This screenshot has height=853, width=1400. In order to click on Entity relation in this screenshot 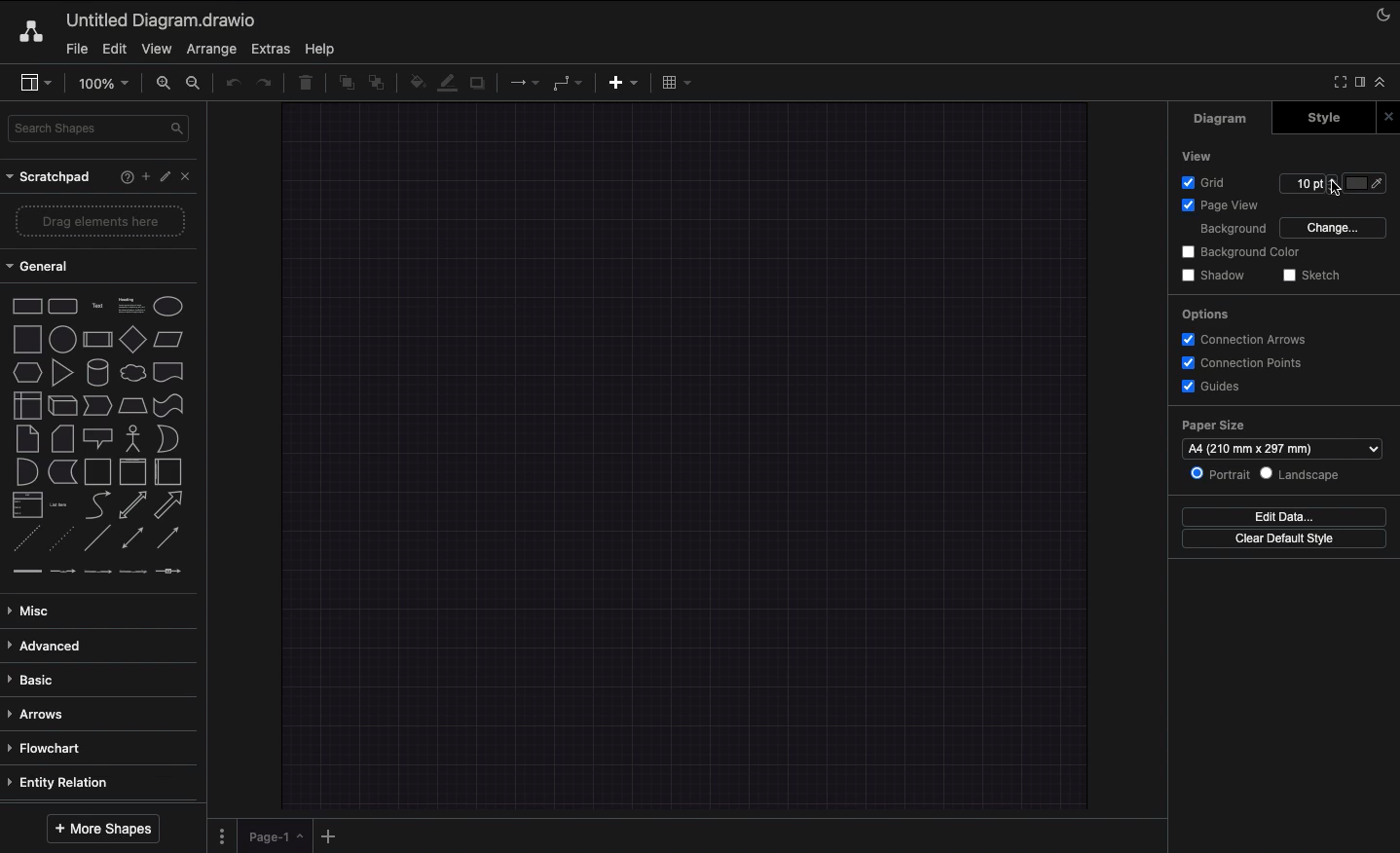, I will do `click(66, 779)`.